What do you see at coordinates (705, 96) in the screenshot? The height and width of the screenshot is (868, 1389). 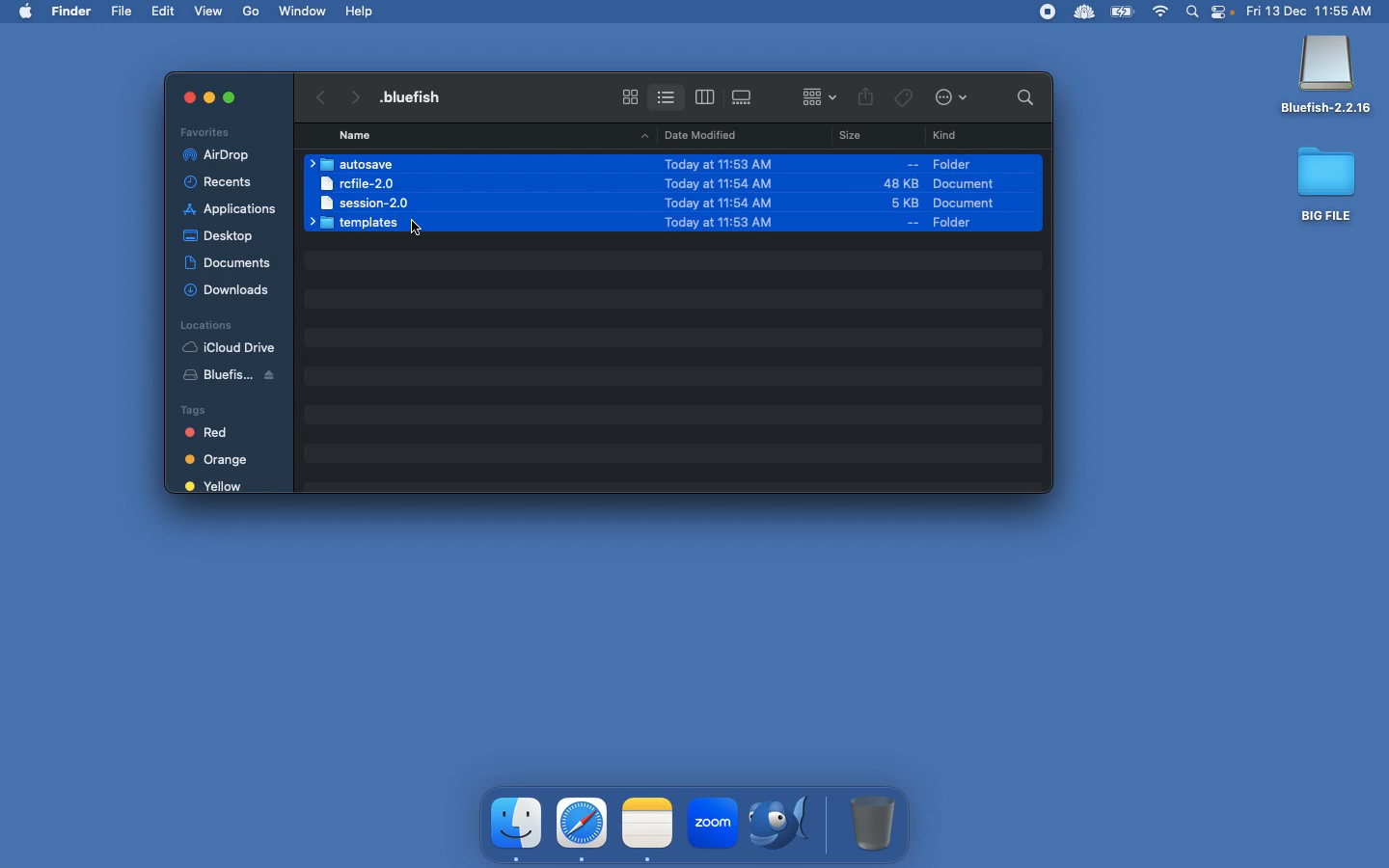 I see `Column View` at bounding box center [705, 96].